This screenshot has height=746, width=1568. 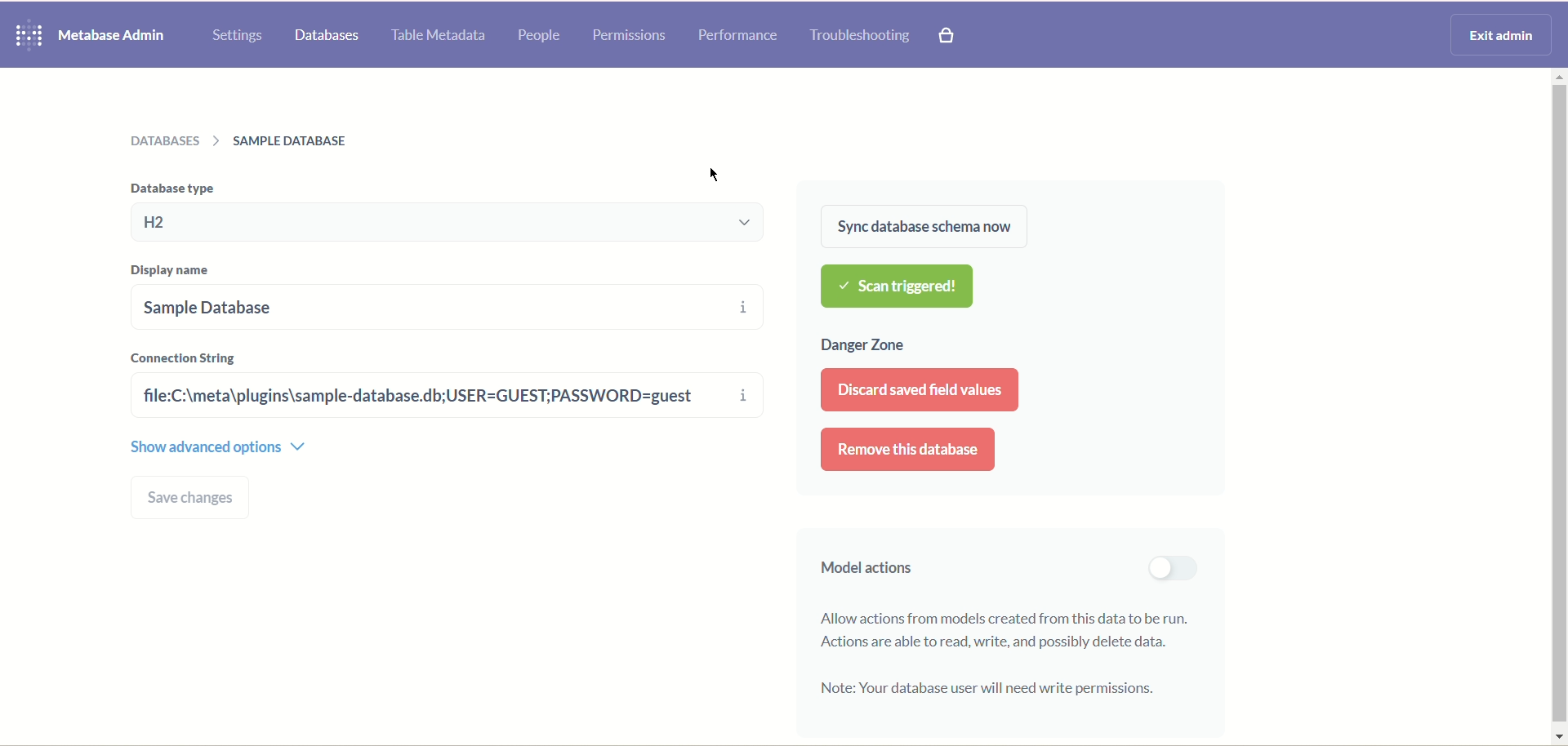 What do you see at coordinates (238, 35) in the screenshot?
I see `settings` at bounding box center [238, 35].